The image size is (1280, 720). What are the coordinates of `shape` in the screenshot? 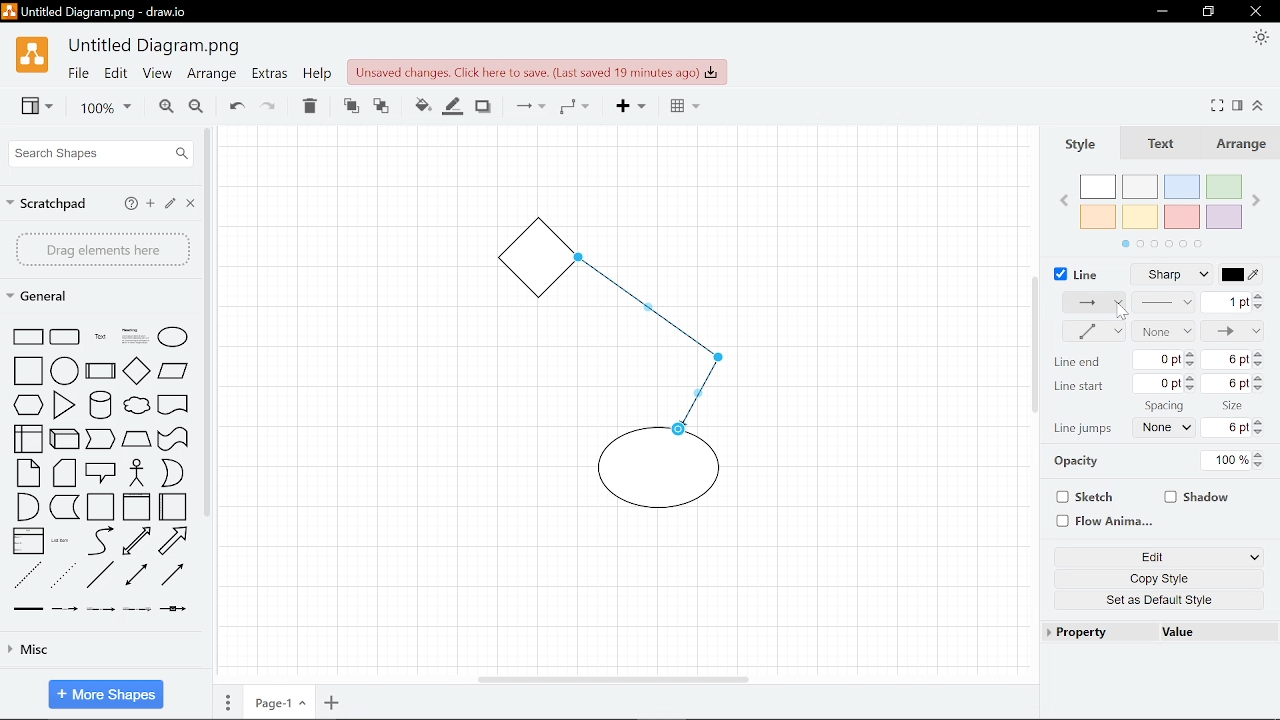 It's located at (64, 405).